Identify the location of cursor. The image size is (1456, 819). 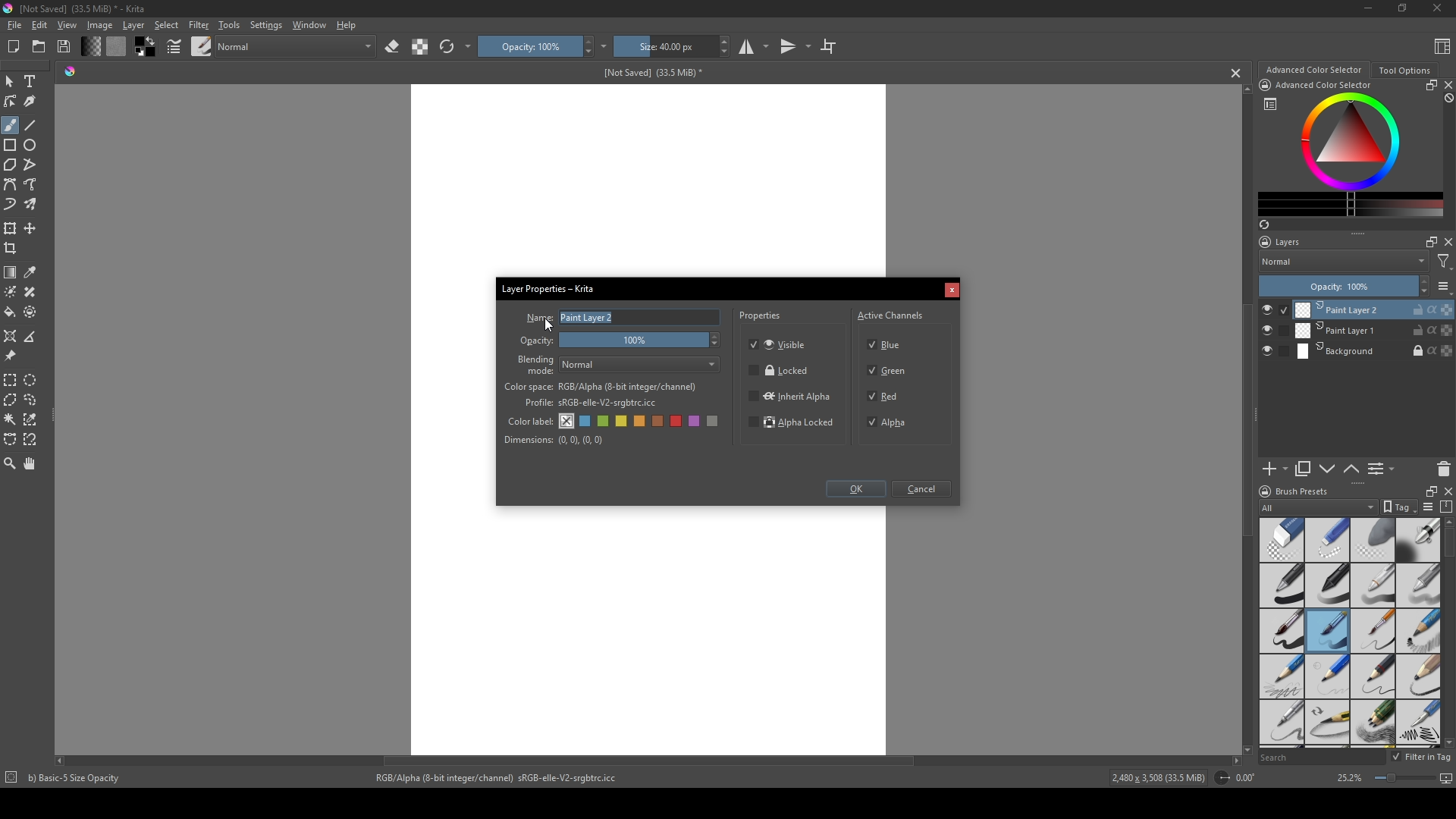
(550, 324).